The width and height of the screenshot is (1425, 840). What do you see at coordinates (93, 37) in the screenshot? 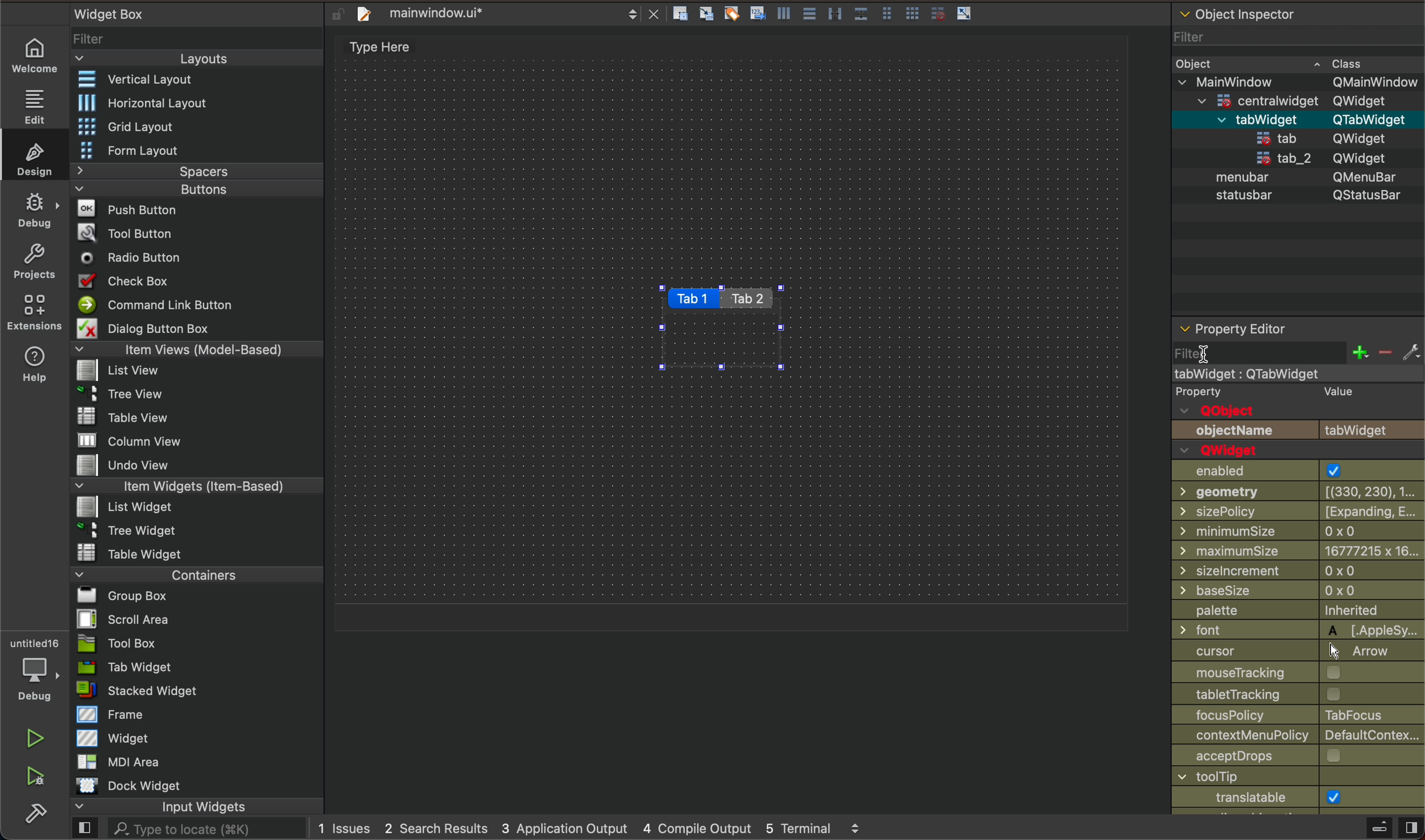
I see `Filter` at bounding box center [93, 37].